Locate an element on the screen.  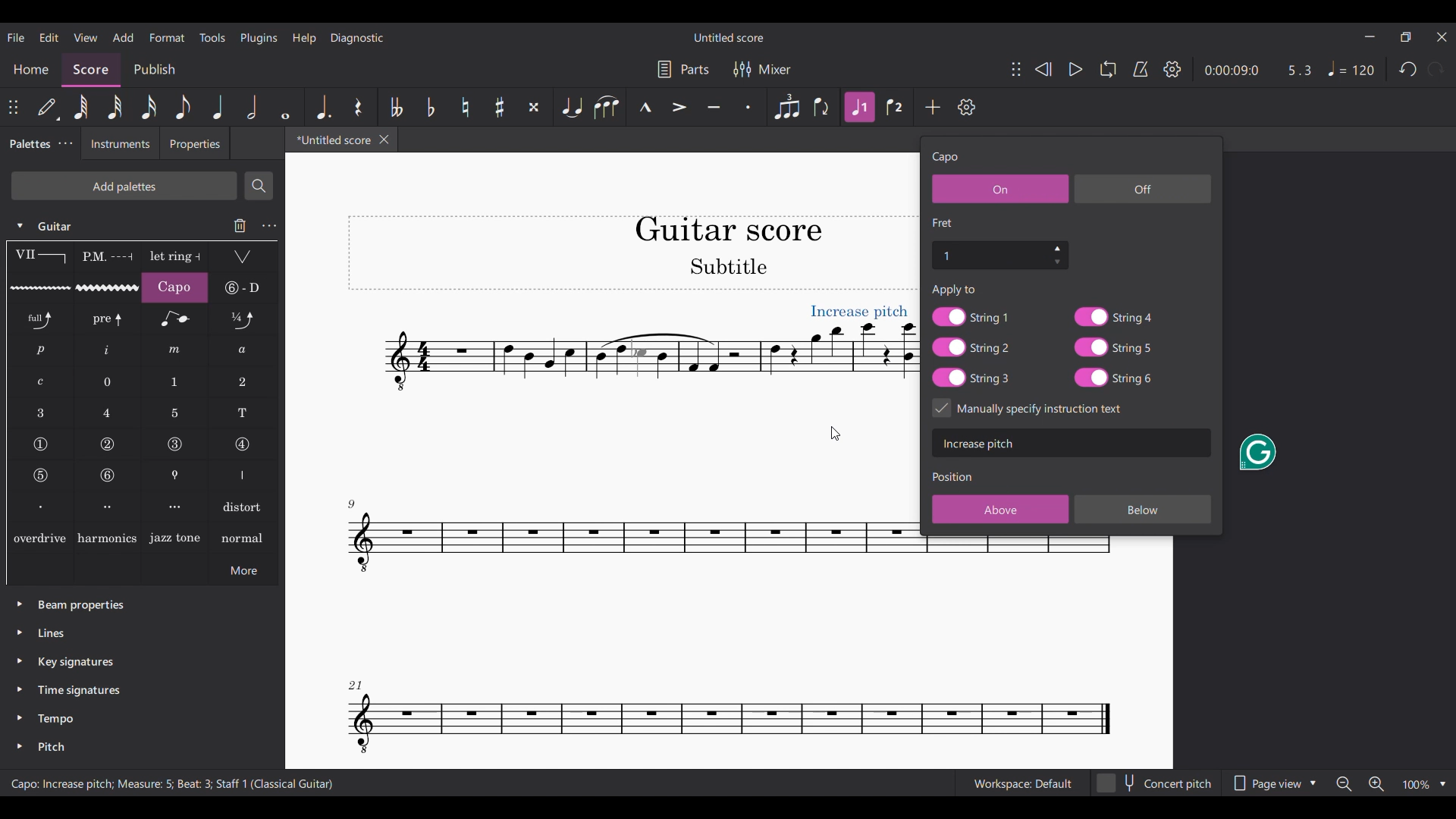
Apply to is located at coordinates (954, 290).